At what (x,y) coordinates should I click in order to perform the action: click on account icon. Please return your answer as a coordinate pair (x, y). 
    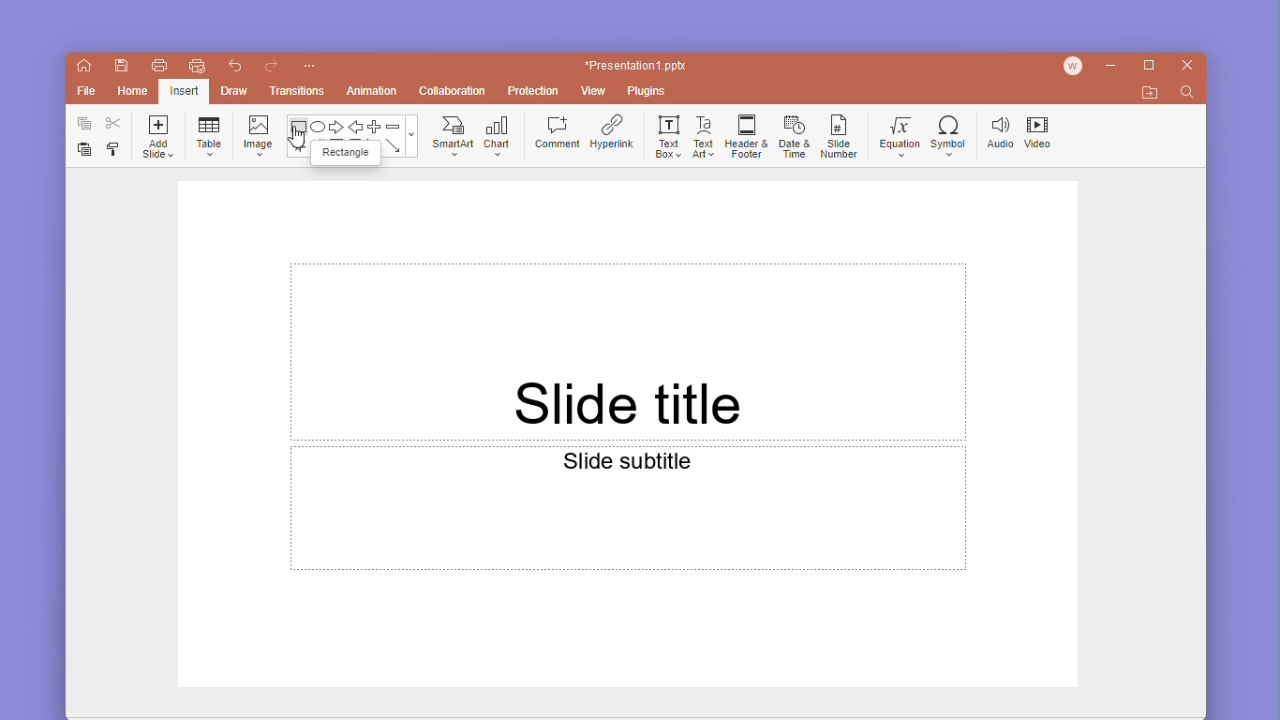
    Looking at the image, I should click on (1075, 67).